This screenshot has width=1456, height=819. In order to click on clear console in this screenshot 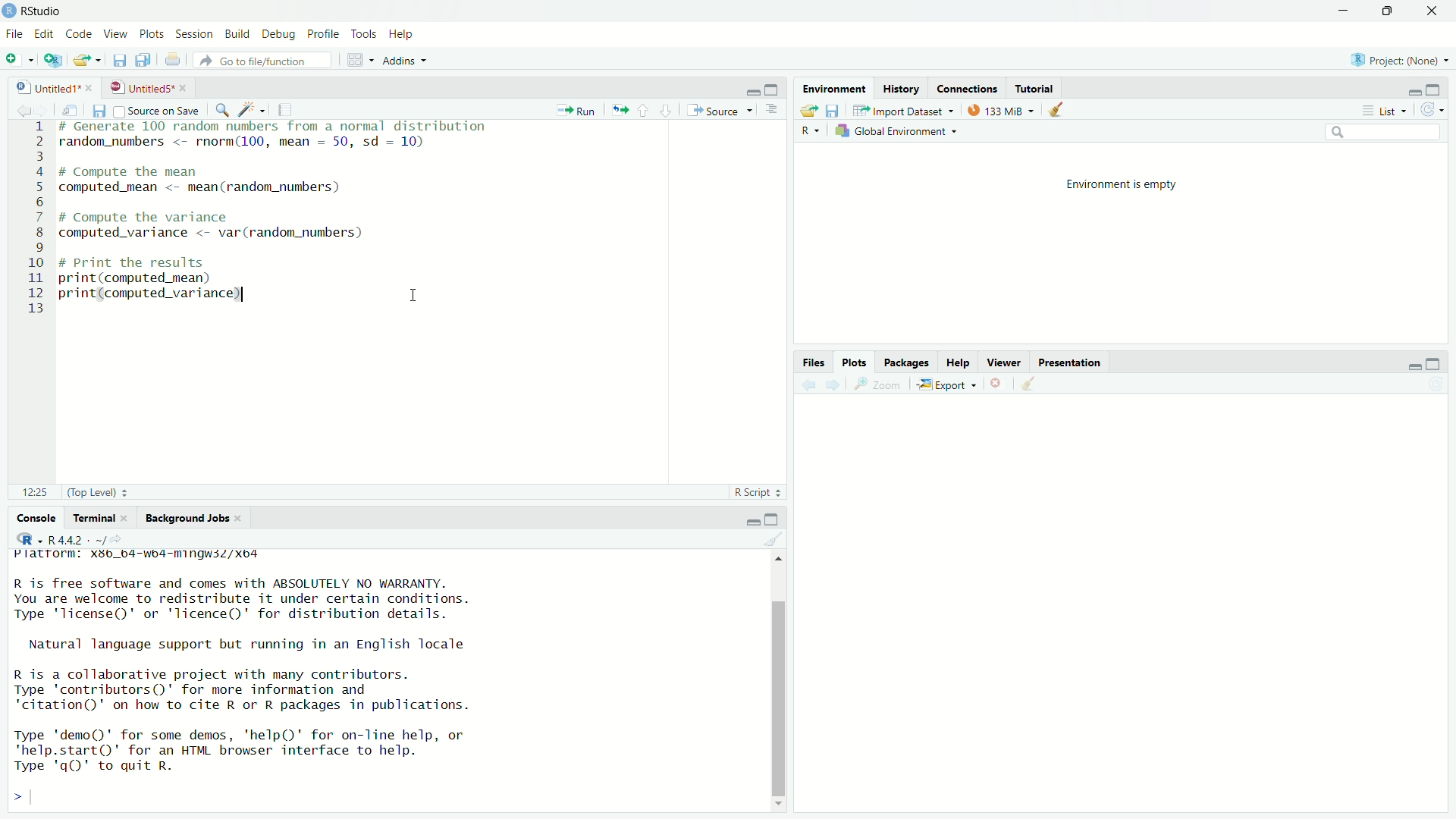, I will do `click(773, 538)`.